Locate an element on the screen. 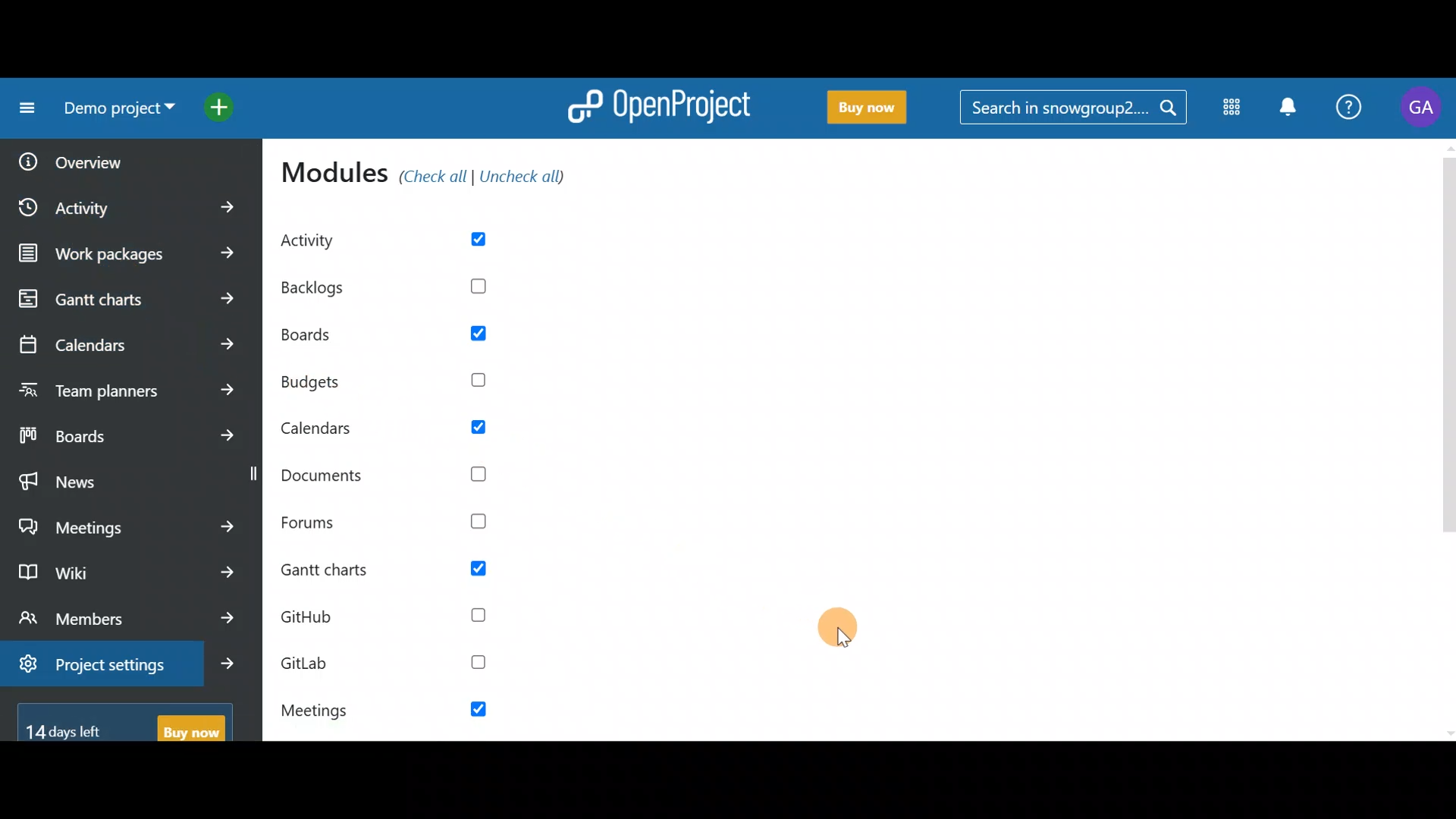 The image size is (1456, 819). Collapse project menu is located at coordinates (24, 111).